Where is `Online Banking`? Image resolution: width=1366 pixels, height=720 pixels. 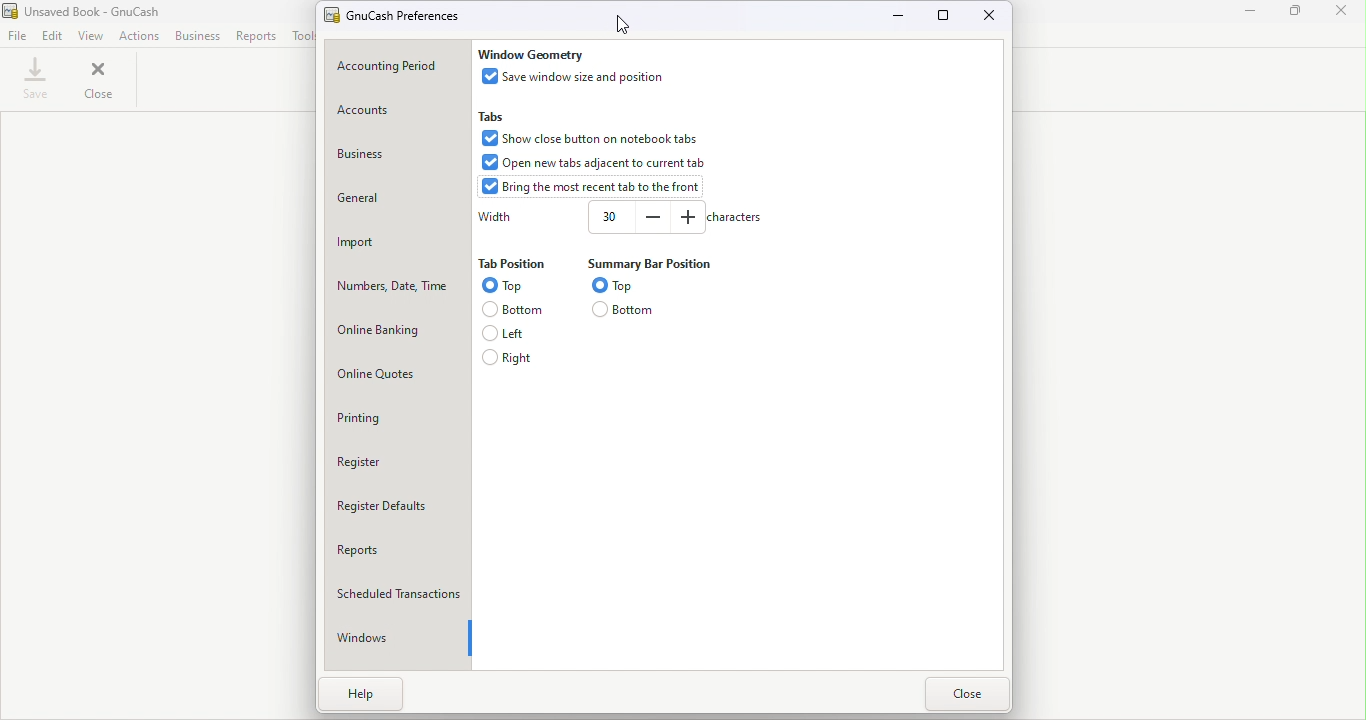
Online Banking is located at coordinates (399, 330).